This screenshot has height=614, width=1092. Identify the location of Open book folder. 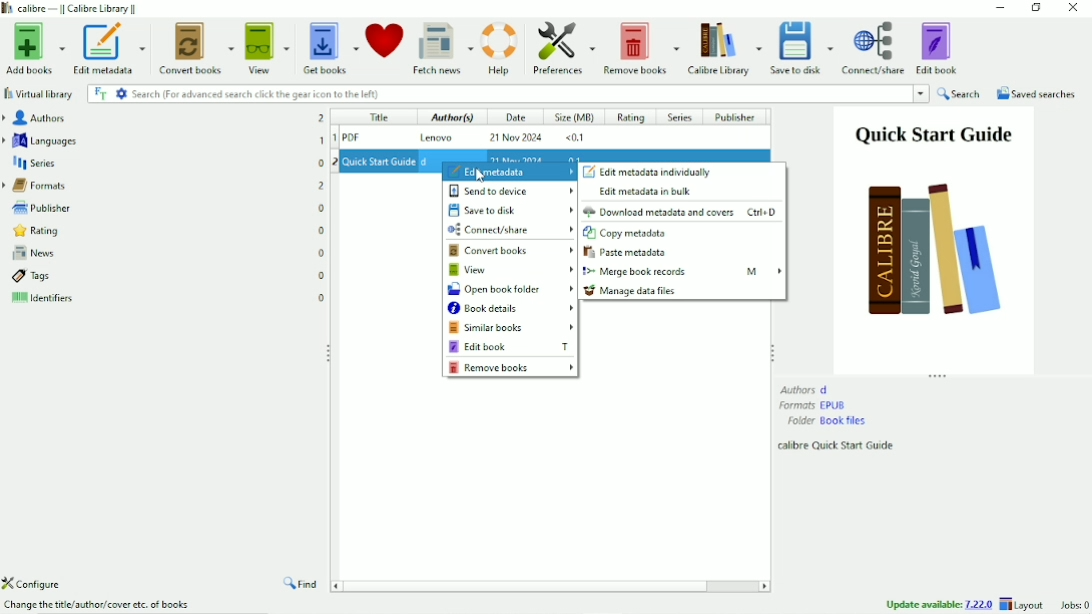
(511, 290).